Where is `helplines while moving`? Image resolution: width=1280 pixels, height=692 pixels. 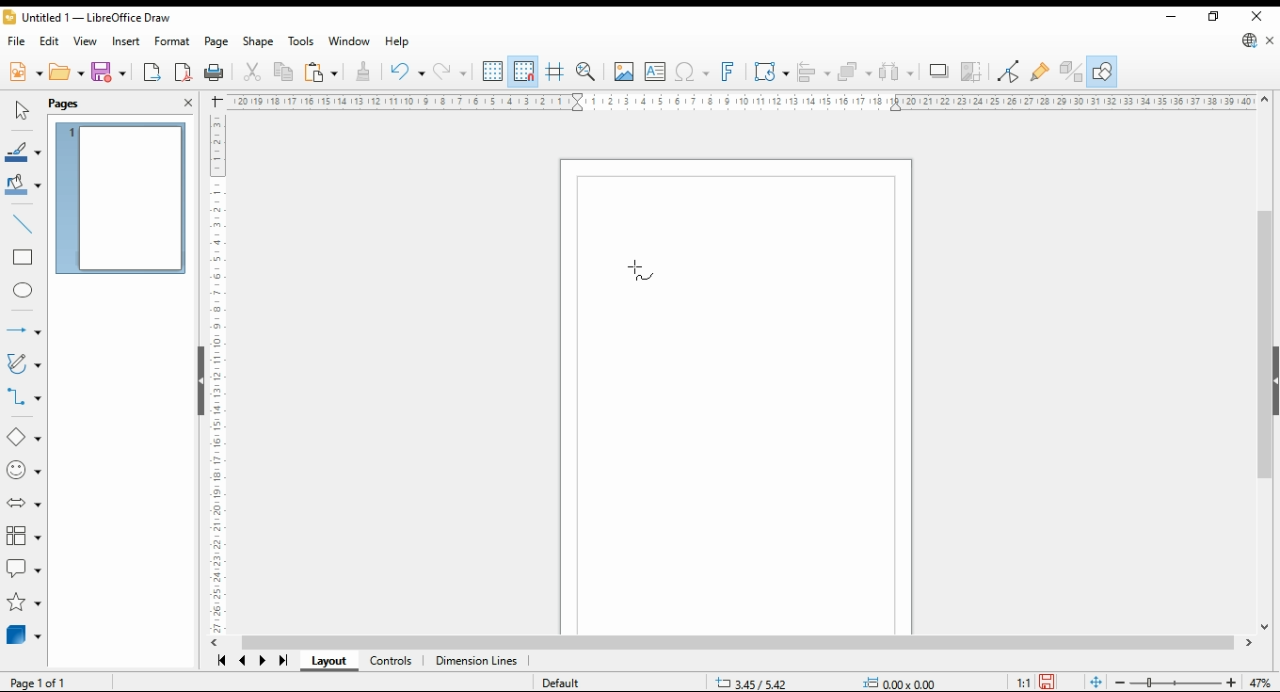 helplines while moving is located at coordinates (554, 72).